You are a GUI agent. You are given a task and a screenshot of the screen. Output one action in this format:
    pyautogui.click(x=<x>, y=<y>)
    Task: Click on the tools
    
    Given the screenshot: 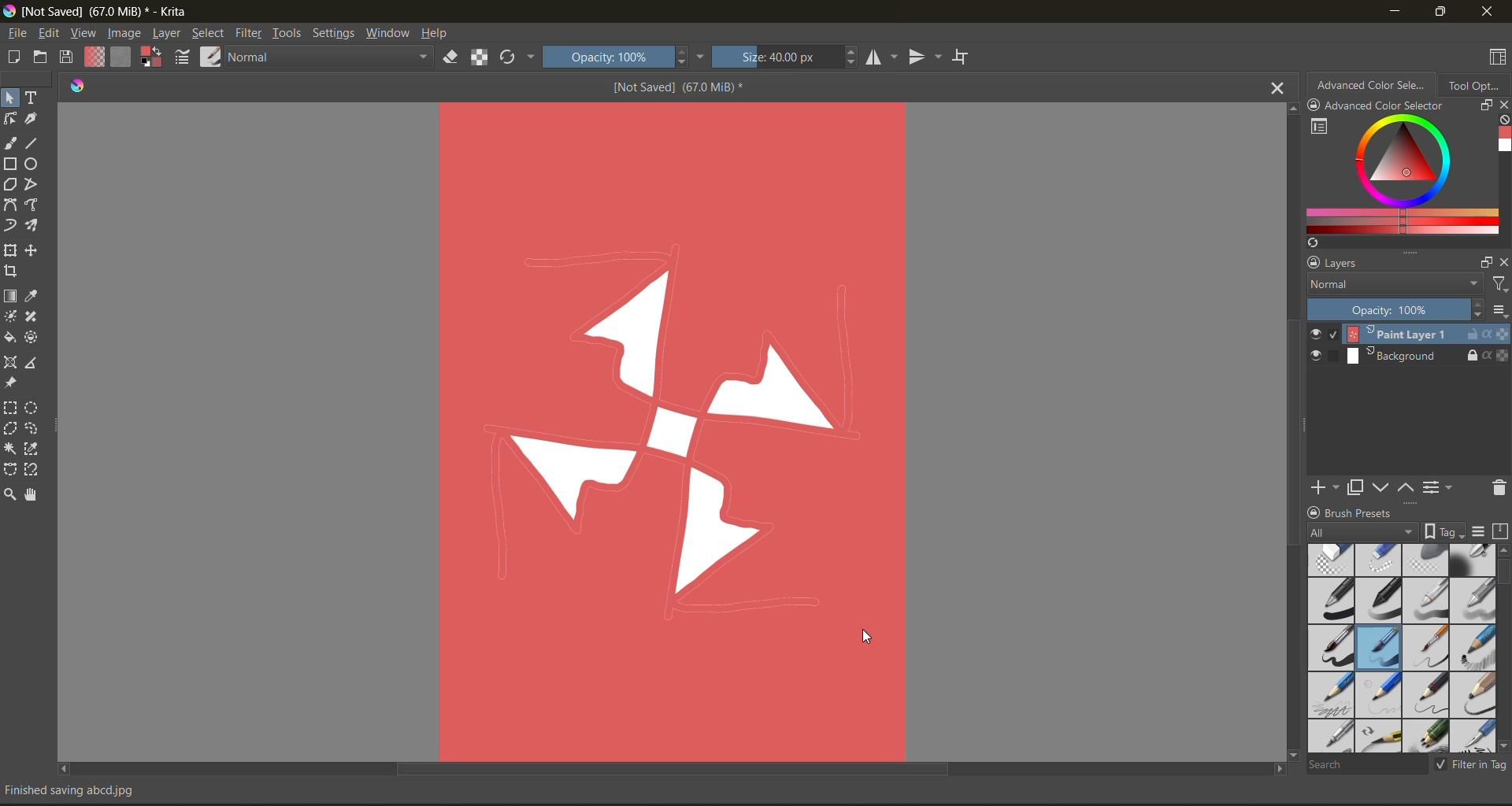 What is the action you would take?
    pyautogui.click(x=287, y=33)
    